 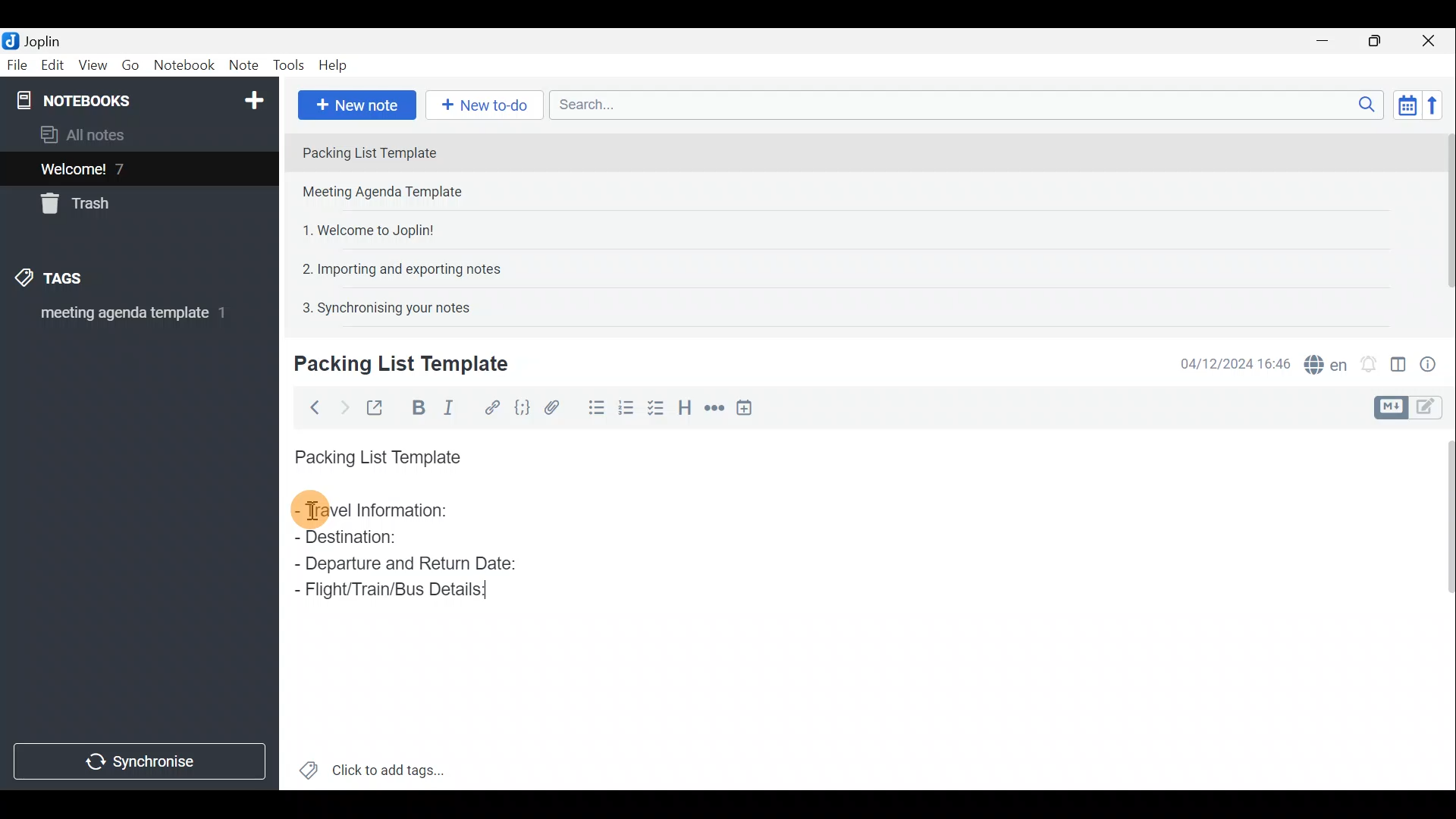 What do you see at coordinates (130, 318) in the screenshot?
I see `meeting agenda template` at bounding box center [130, 318].